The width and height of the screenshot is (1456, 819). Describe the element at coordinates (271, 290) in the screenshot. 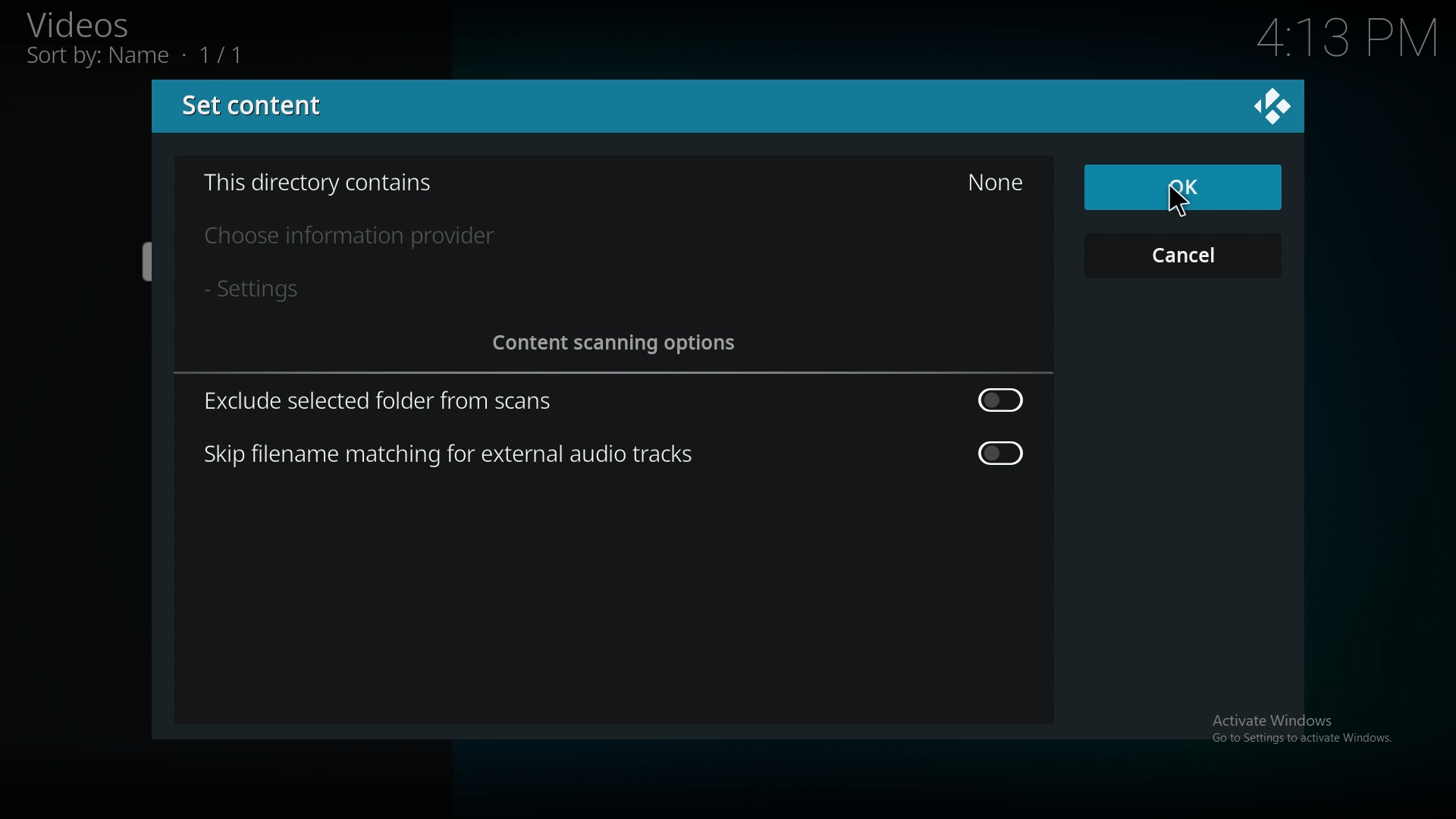

I see `settings` at that location.